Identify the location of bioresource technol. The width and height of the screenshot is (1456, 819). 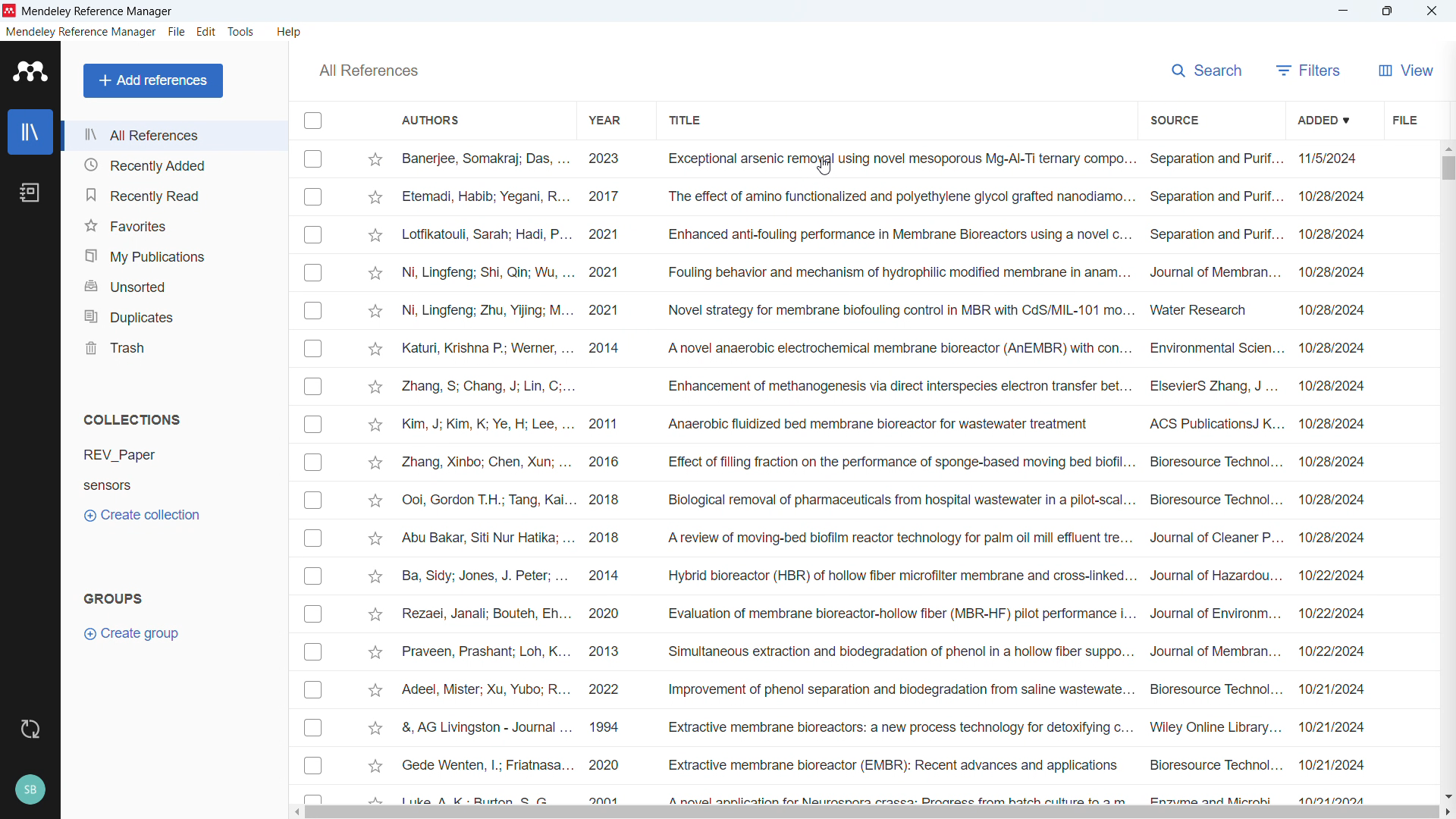
(1212, 461).